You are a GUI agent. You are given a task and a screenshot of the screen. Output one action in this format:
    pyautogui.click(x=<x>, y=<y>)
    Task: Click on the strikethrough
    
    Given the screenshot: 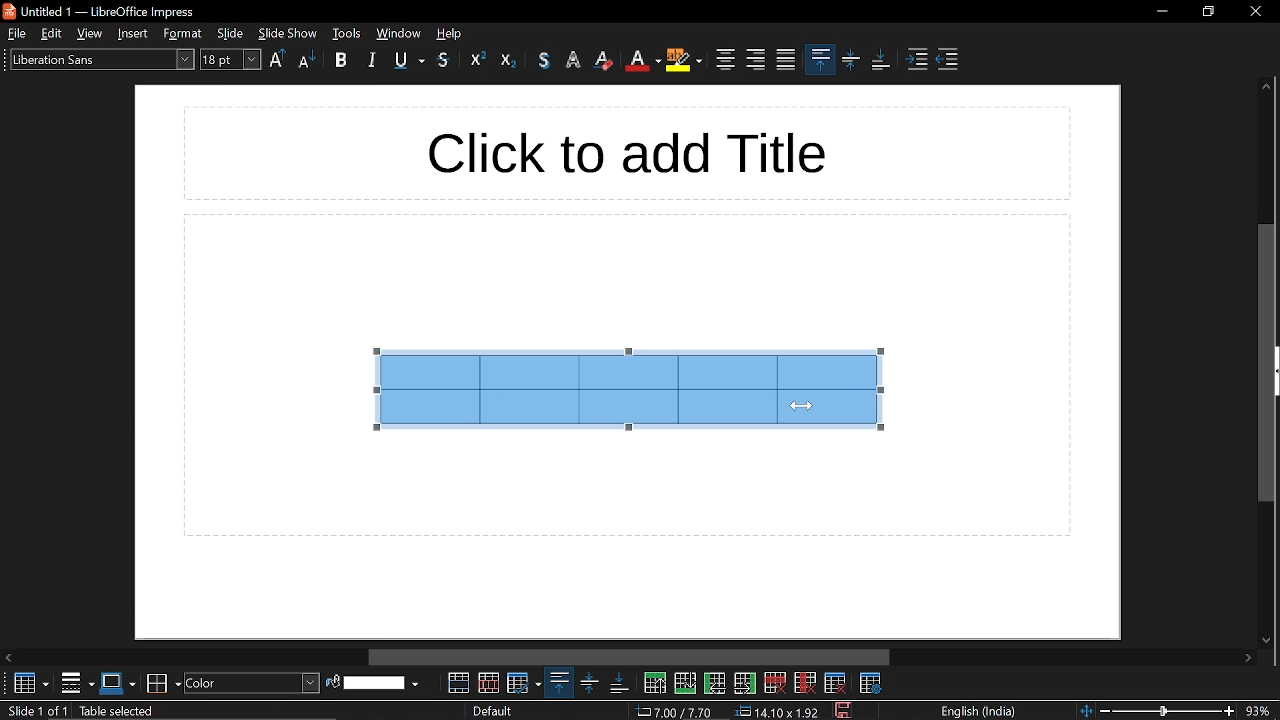 What is the action you would take?
    pyautogui.click(x=445, y=63)
    